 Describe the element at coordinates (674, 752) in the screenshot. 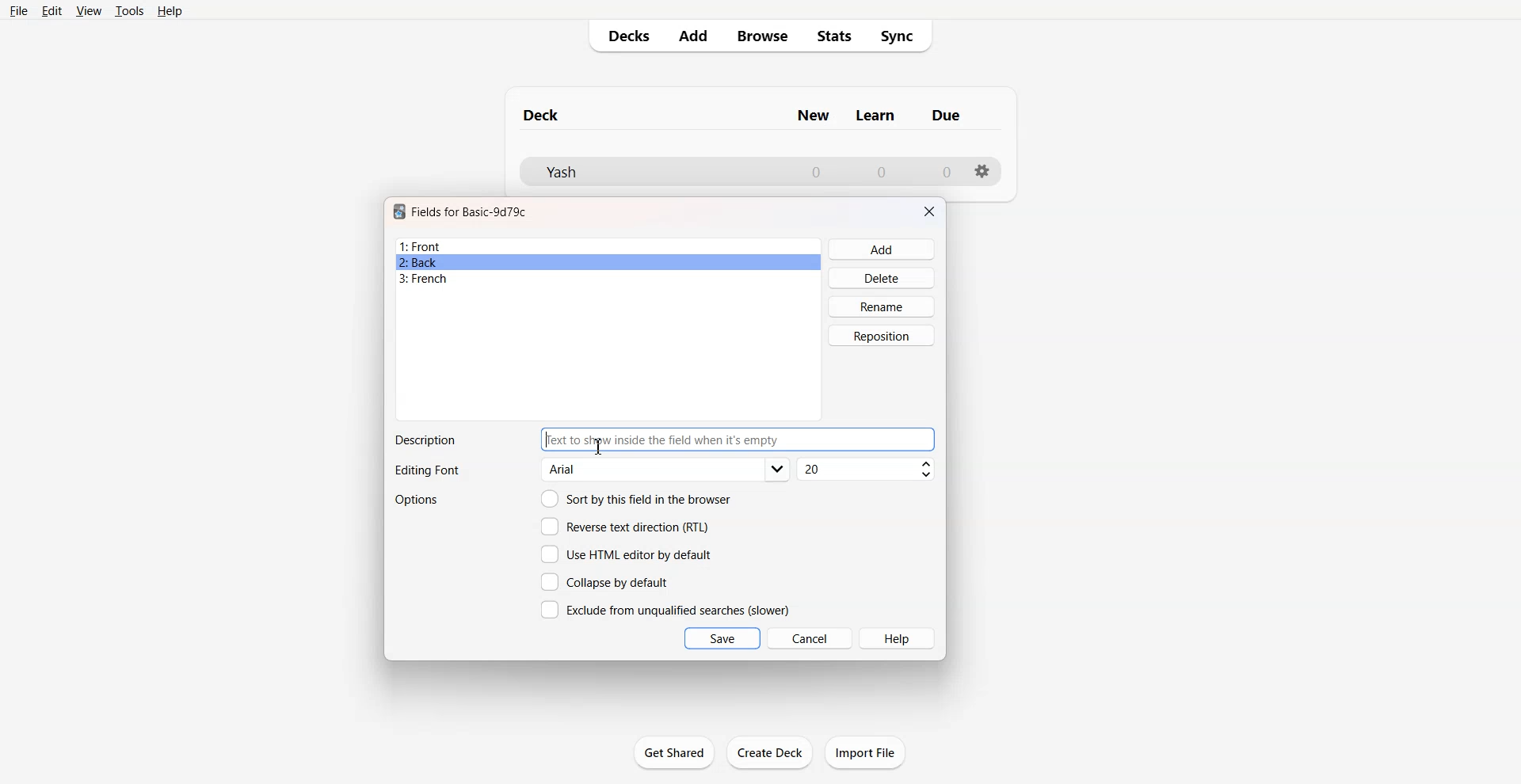

I see `Get Shared` at that location.